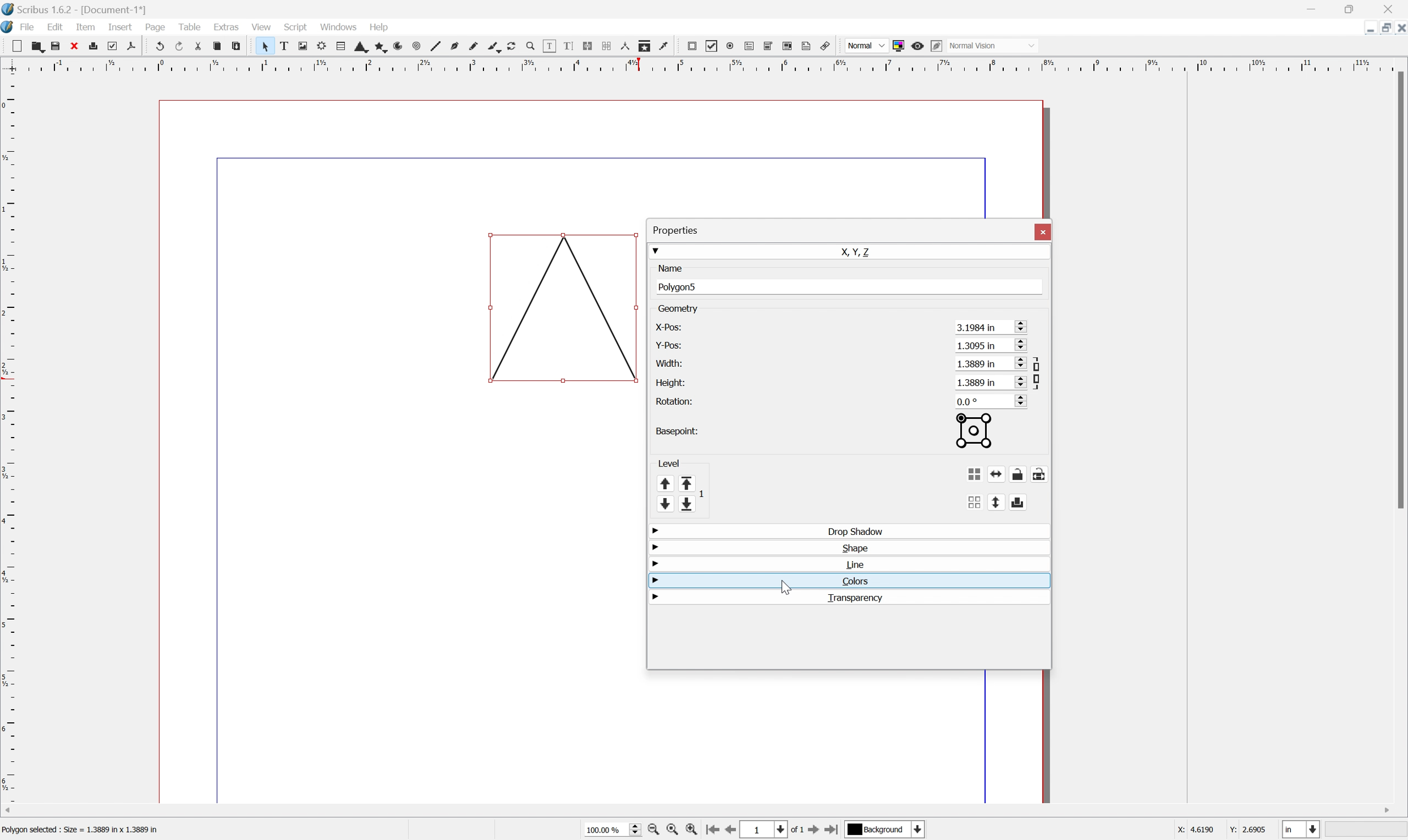  I want to click on Drop Down, so click(656, 597).